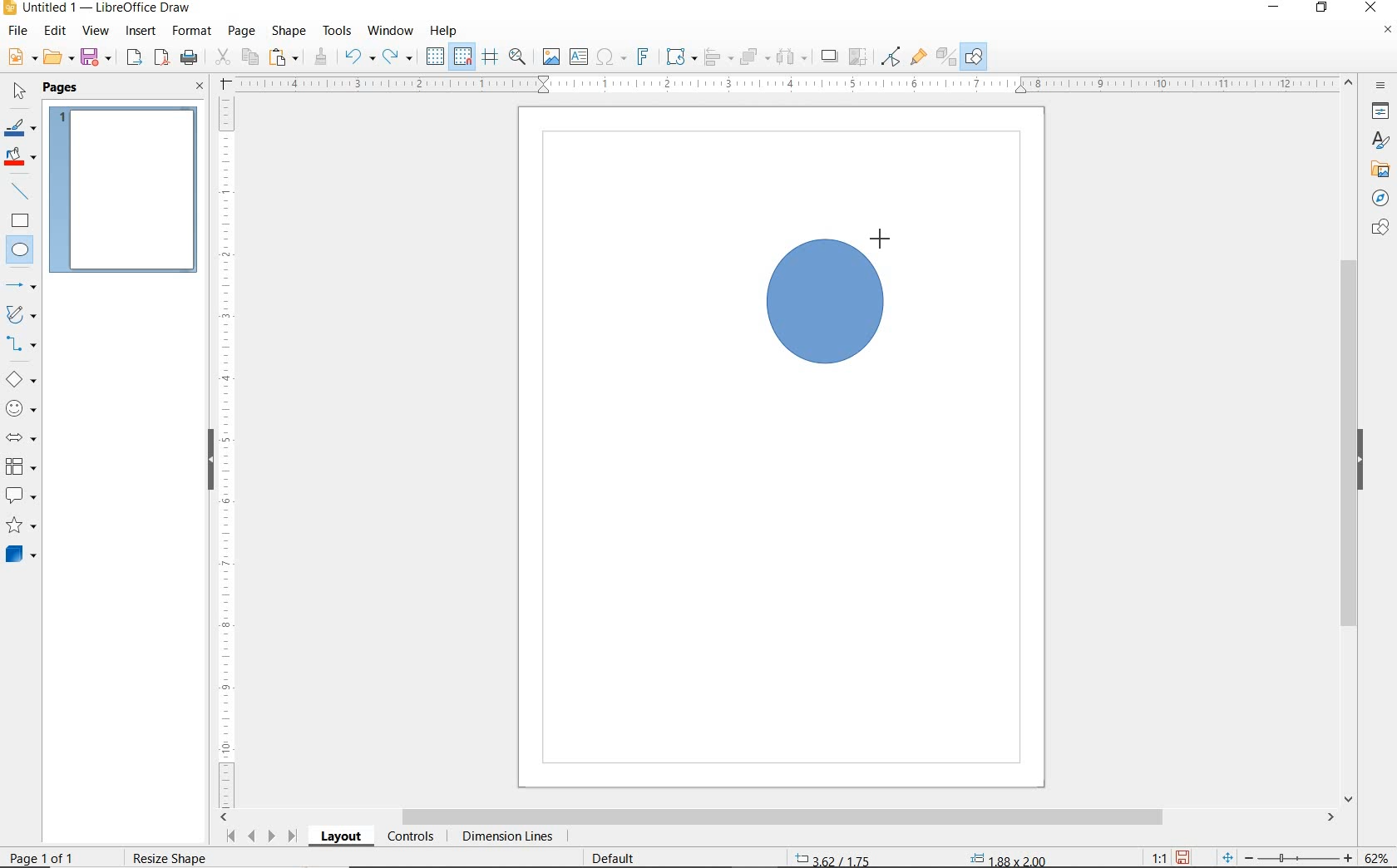  Describe the element at coordinates (619, 856) in the screenshot. I see `DEFAULT` at that location.